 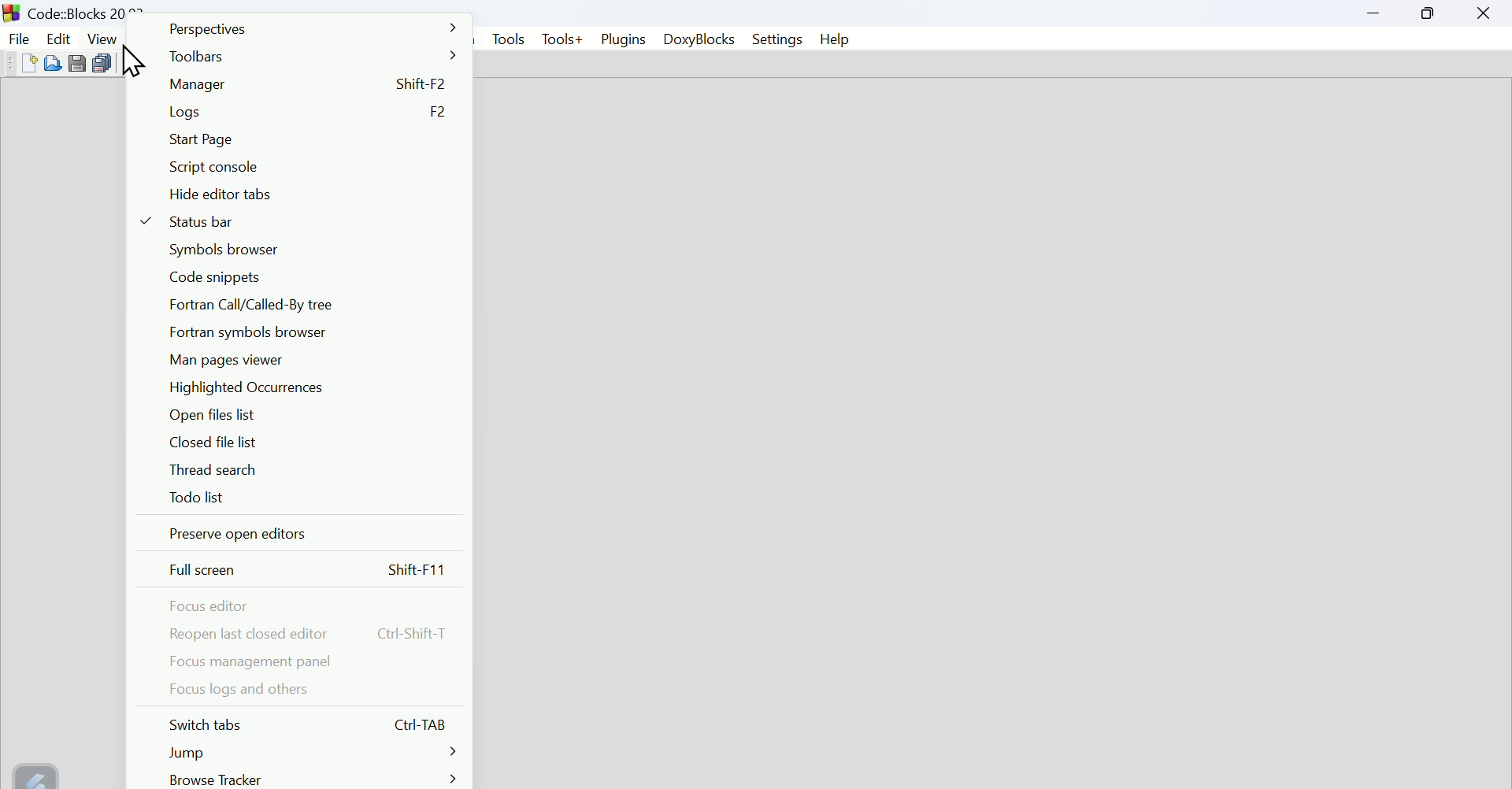 I want to click on Thread search, so click(x=213, y=471).